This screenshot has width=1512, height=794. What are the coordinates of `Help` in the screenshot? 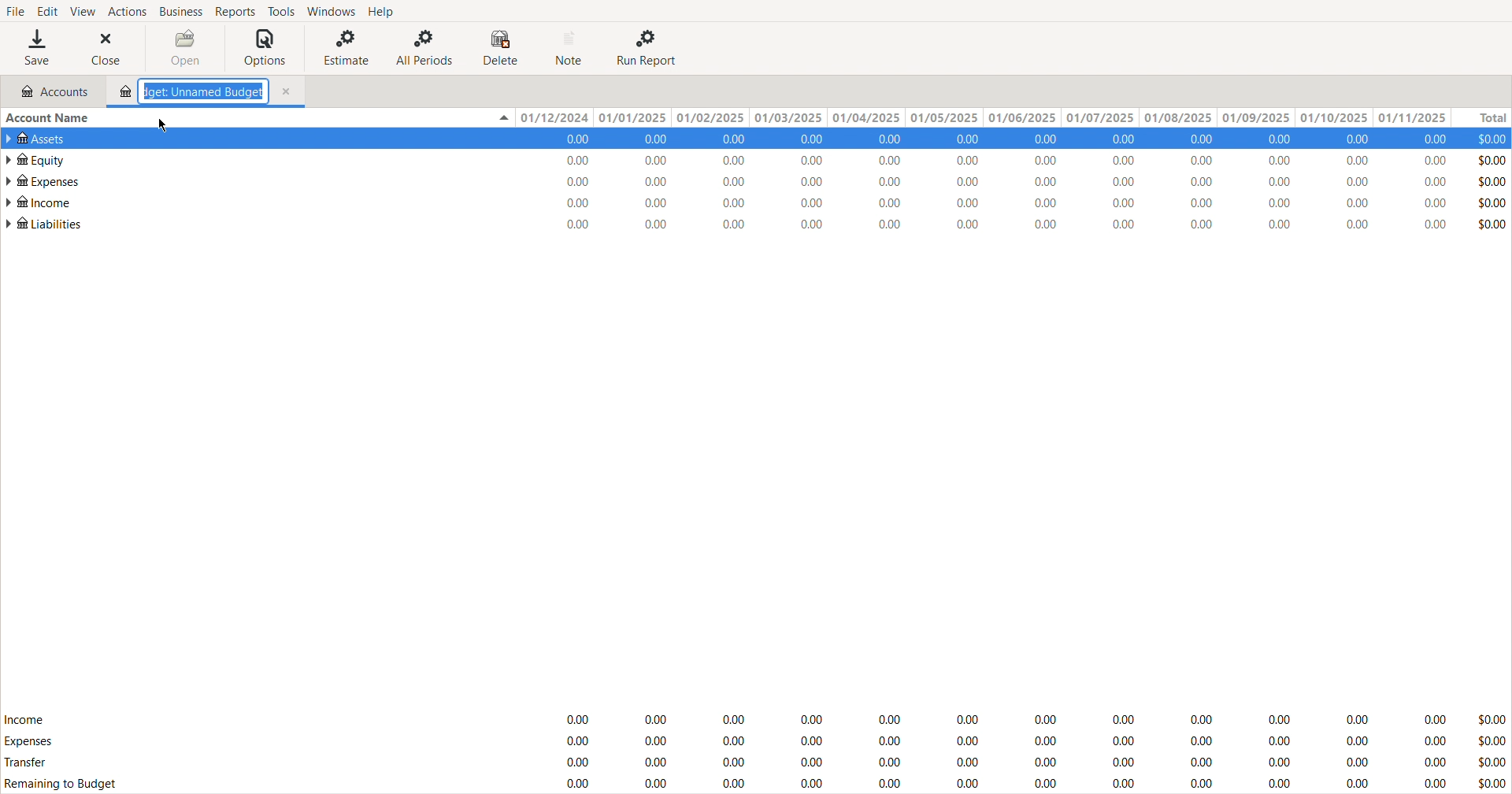 It's located at (385, 11).